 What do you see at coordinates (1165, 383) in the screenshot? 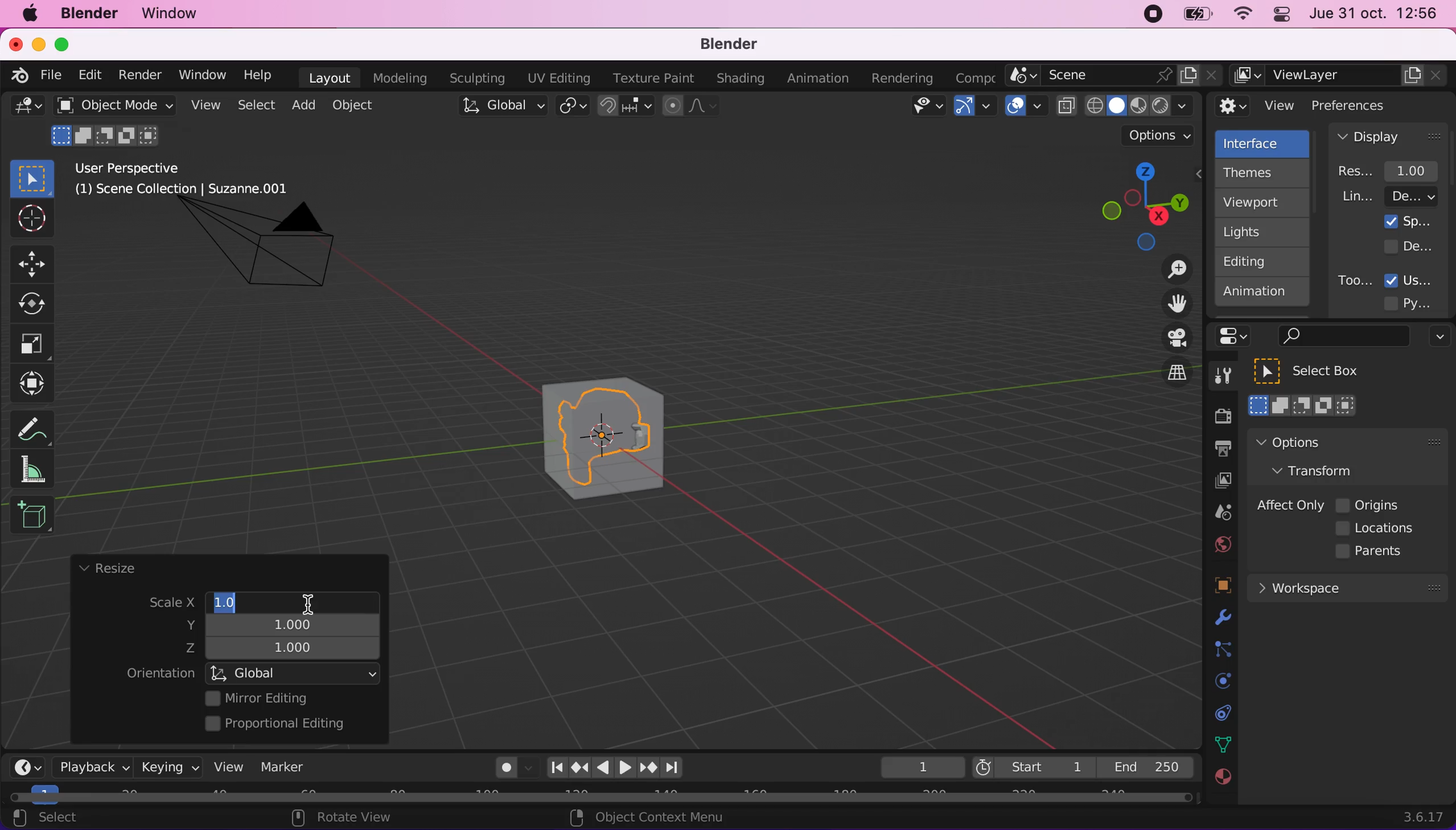
I see `switch the current view` at bounding box center [1165, 383].